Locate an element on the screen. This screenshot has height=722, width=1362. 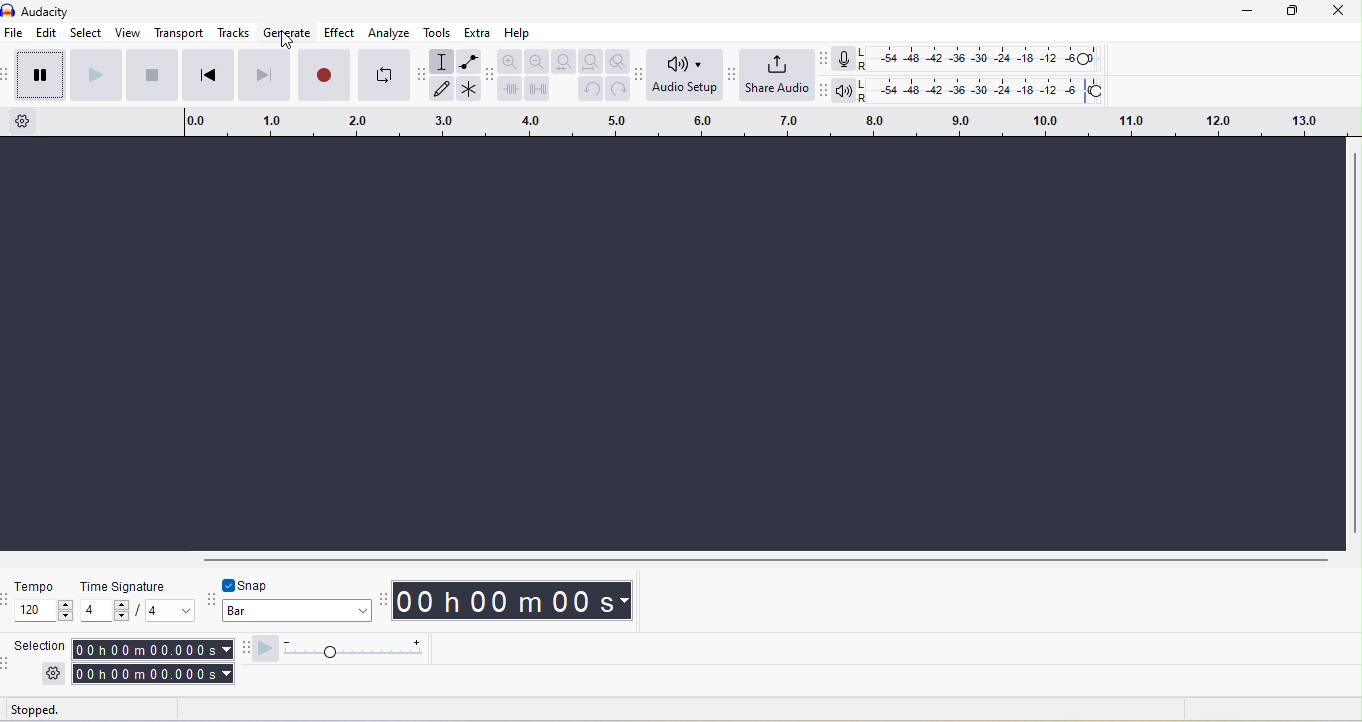
horizontal scroll bar is located at coordinates (765, 558).